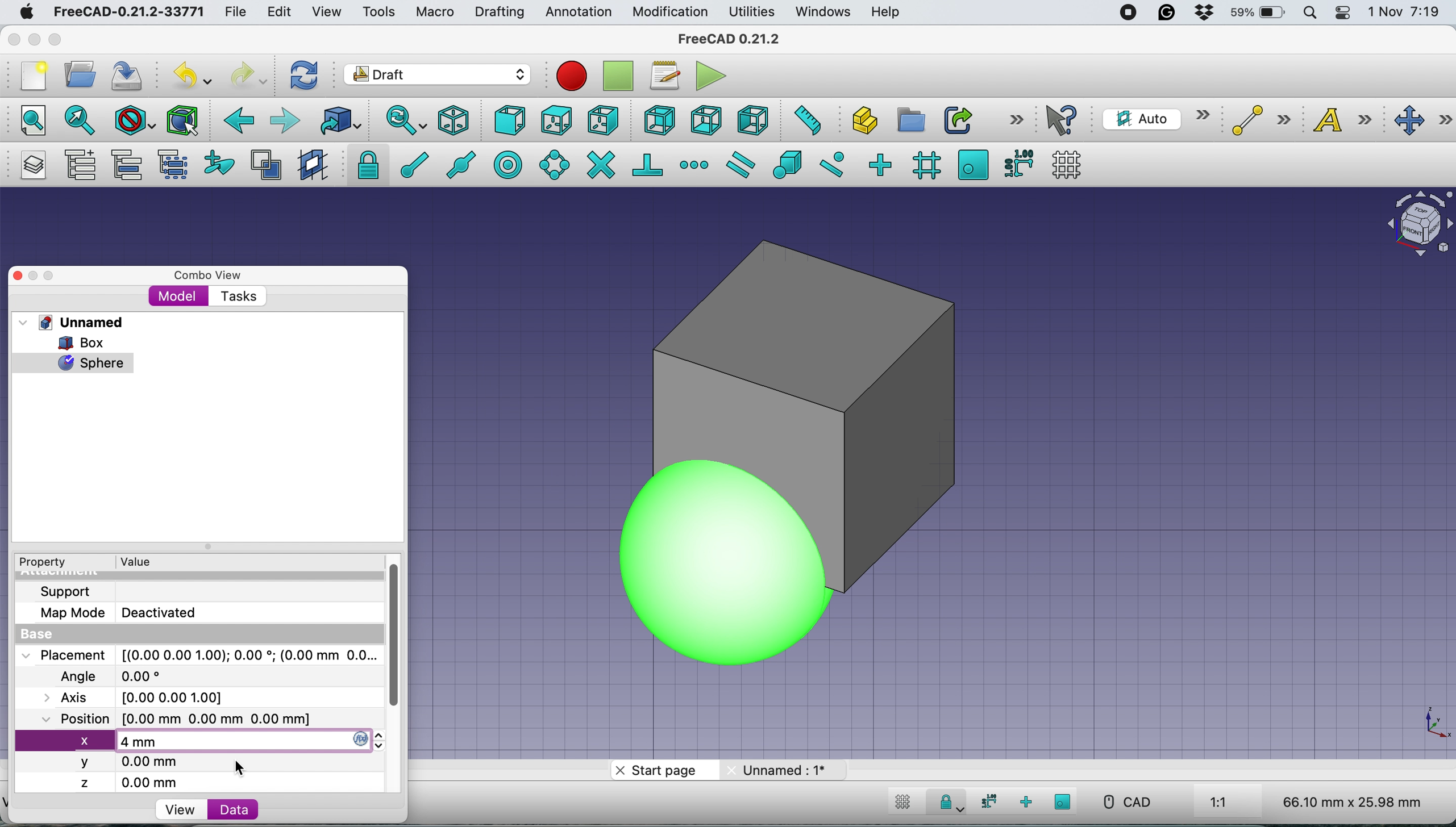 The image size is (1456, 827). Describe the element at coordinates (658, 120) in the screenshot. I see `rear` at that location.